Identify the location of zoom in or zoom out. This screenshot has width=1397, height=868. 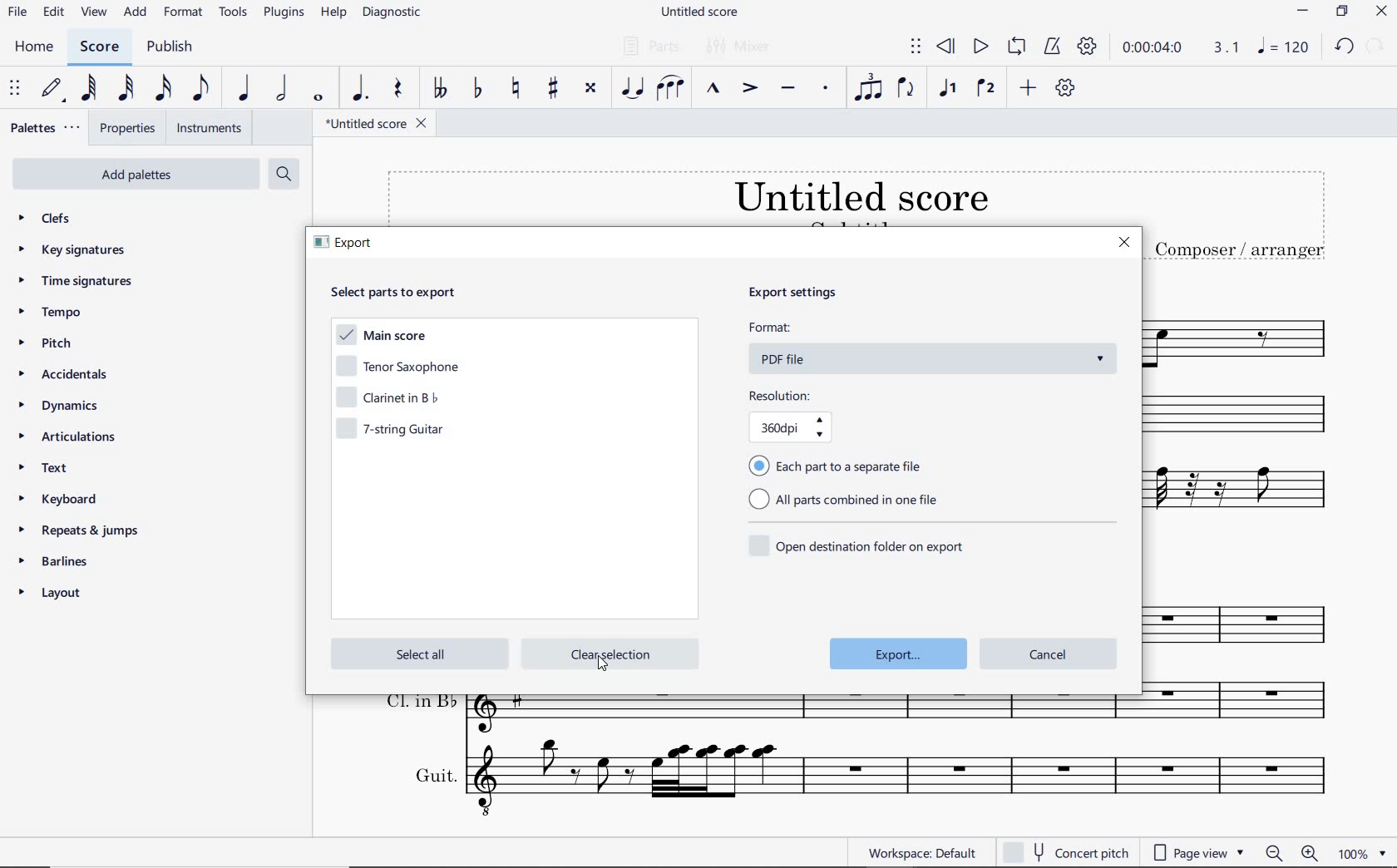
(1291, 852).